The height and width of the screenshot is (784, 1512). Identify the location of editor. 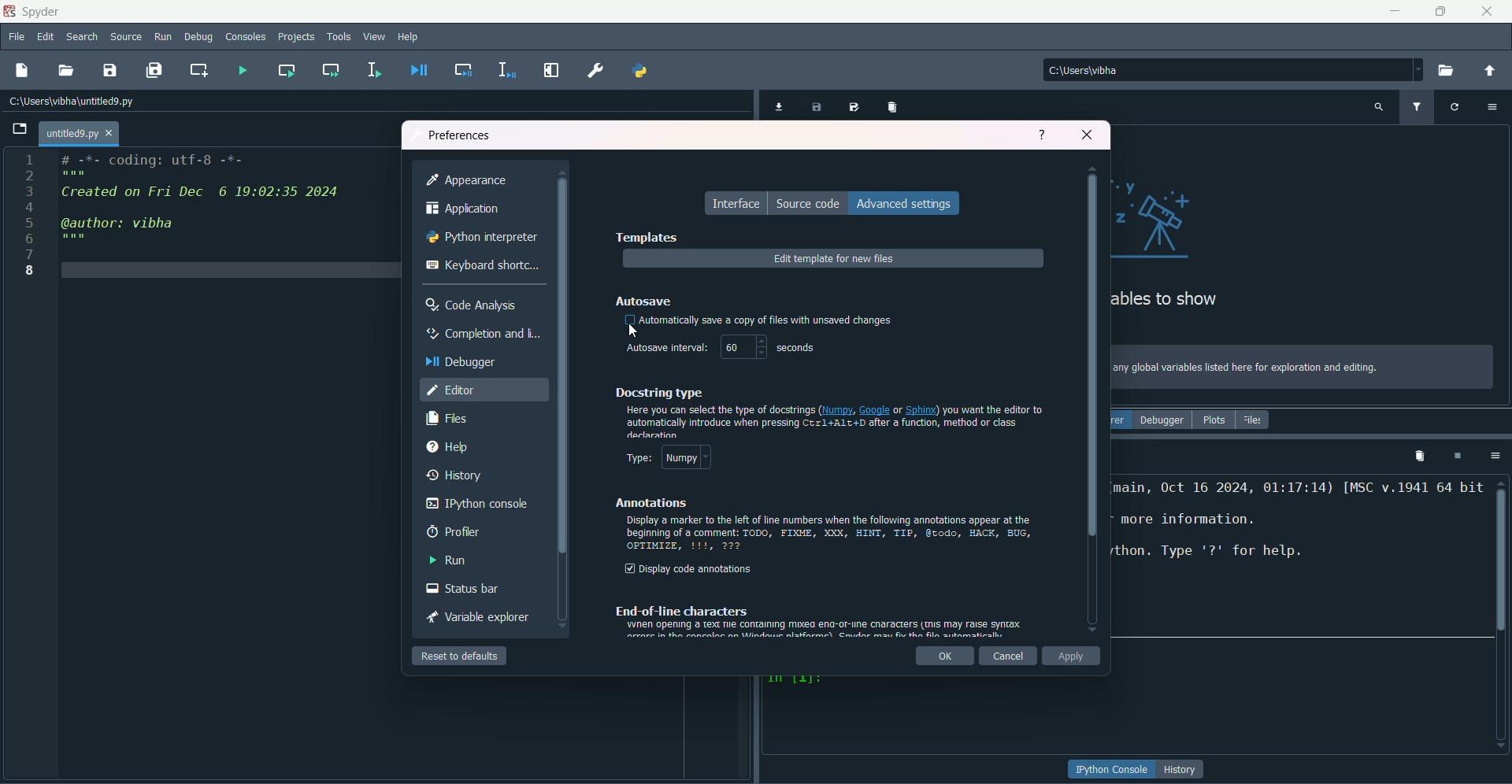
(453, 390).